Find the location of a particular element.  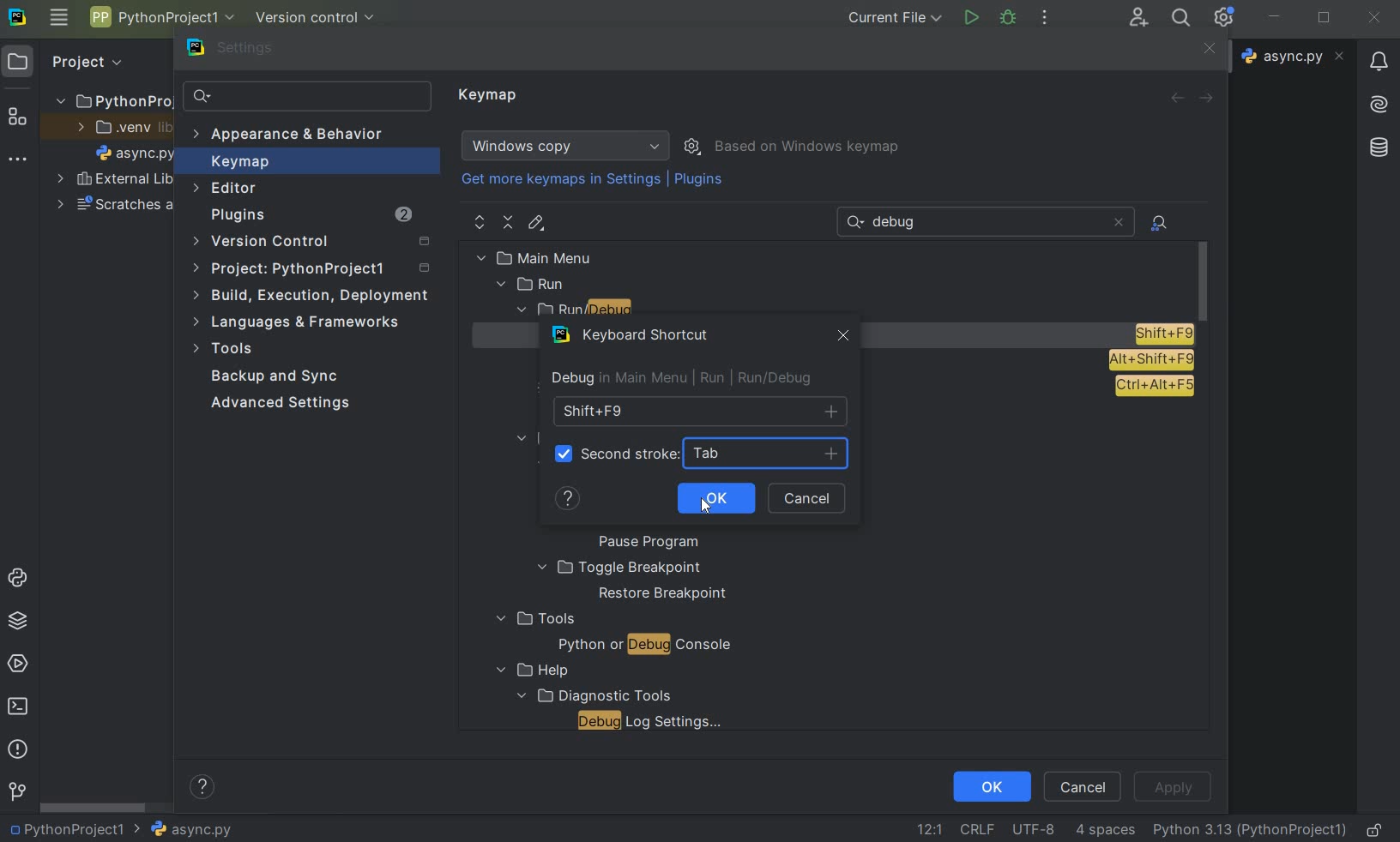

expand all is located at coordinates (480, 223).